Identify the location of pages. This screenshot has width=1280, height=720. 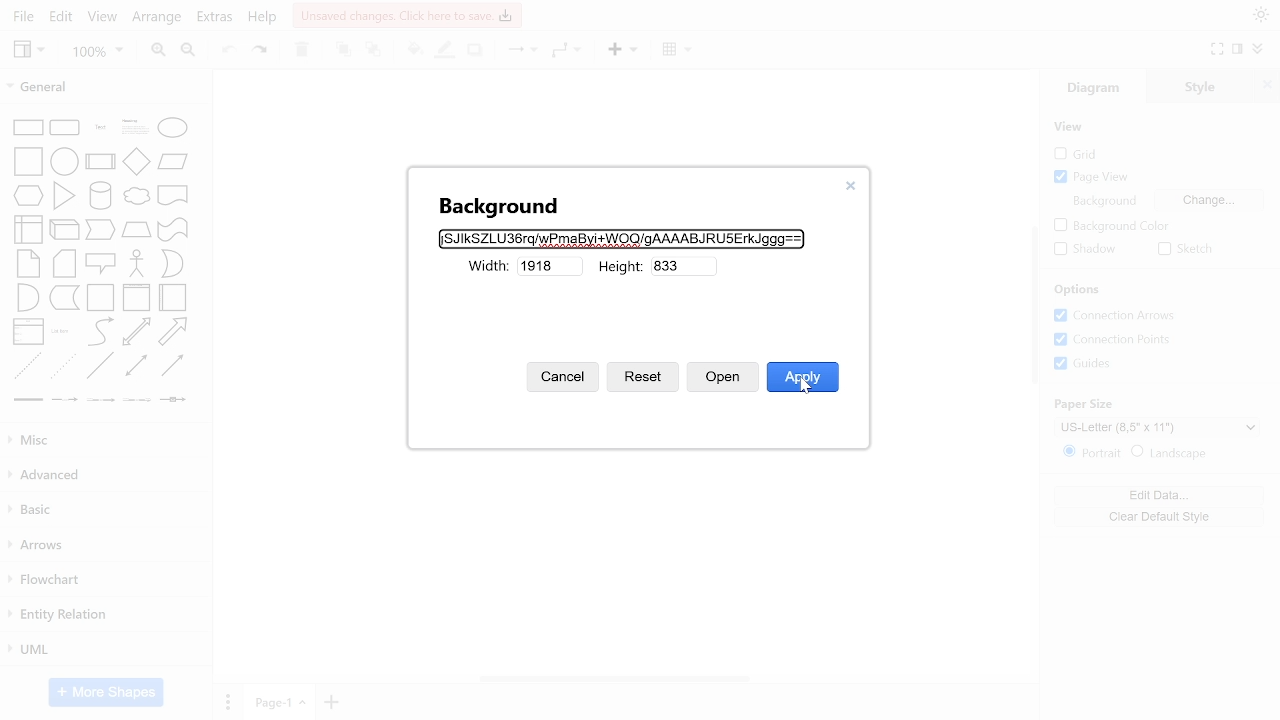
(226, 701).